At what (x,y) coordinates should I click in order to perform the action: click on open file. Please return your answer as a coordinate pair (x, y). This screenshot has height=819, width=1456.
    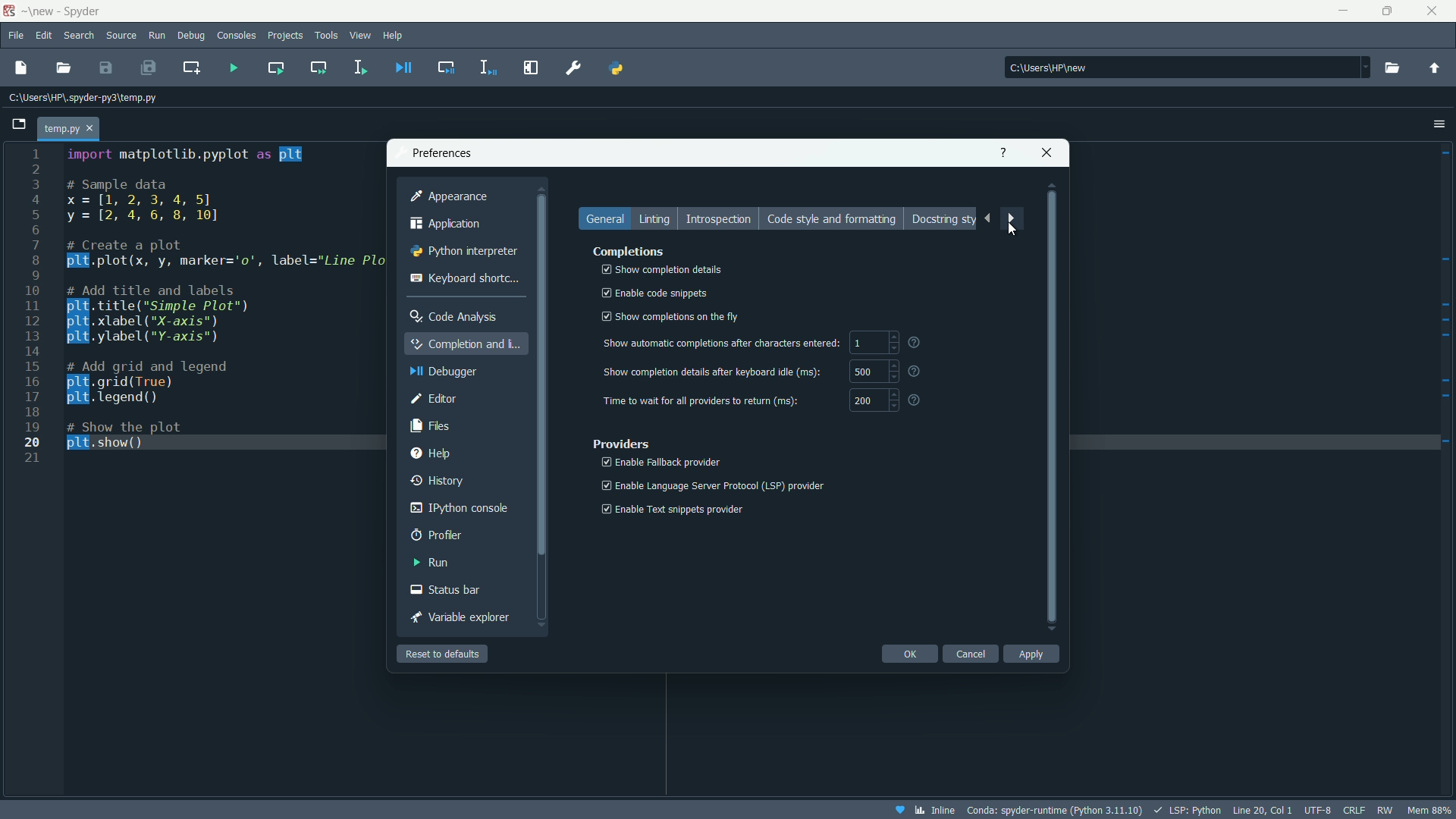
    Looking at the image, I should click on (64, 68).